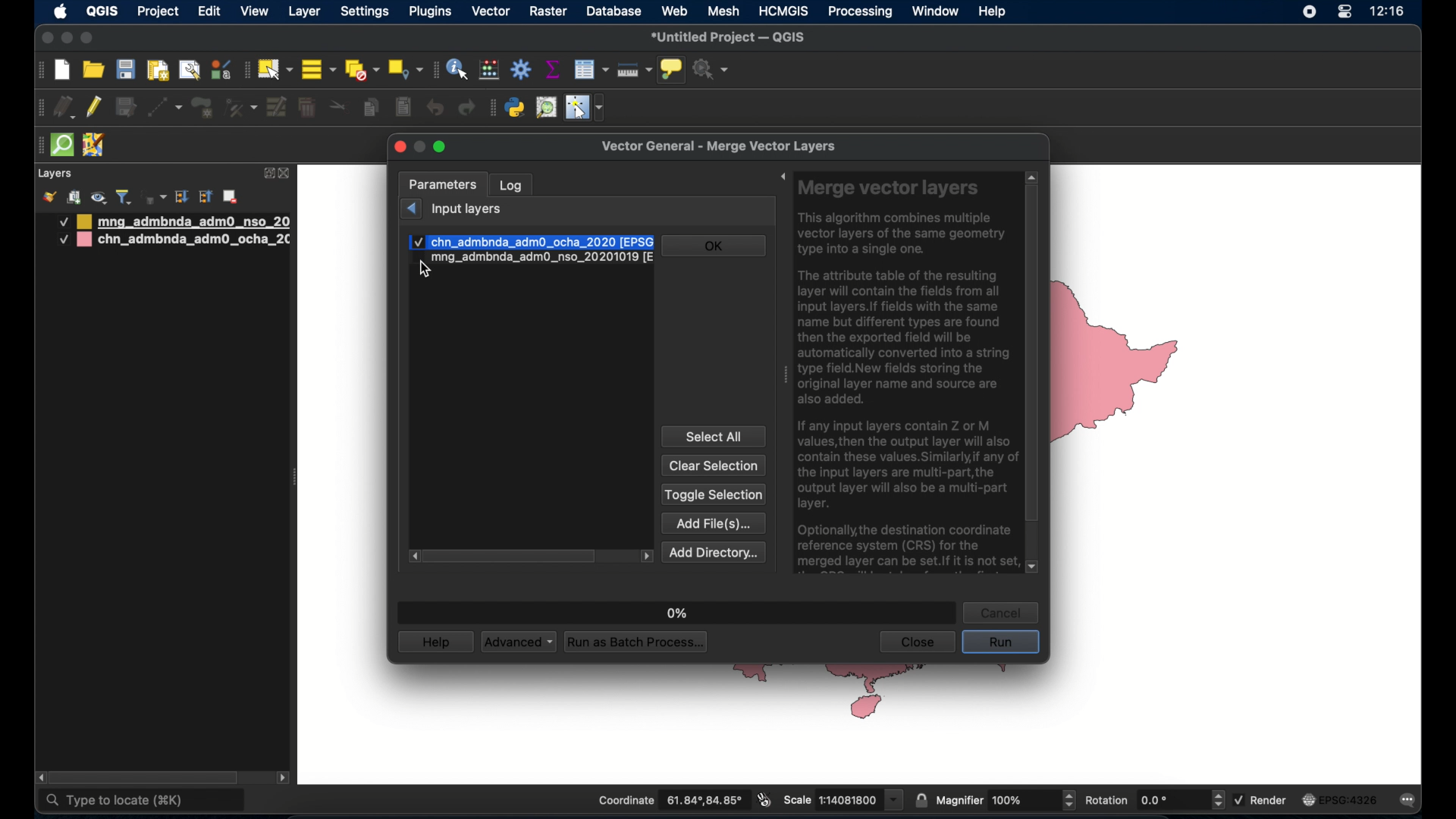 This screenshot has height=819, width=1456. I want to click on attributes toolbar, so click(433, 70).